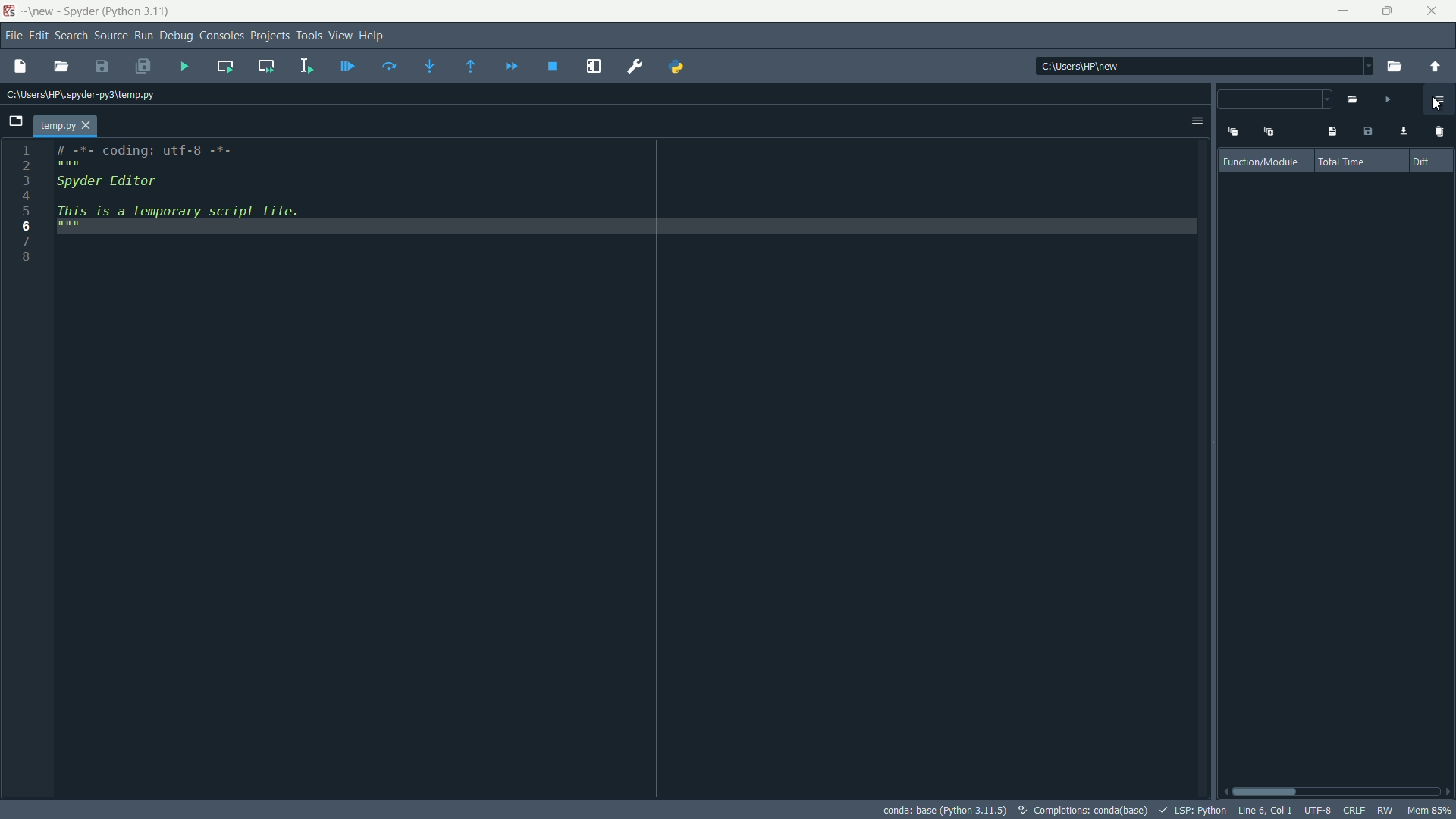  I want to click on new, so click(40, 11).